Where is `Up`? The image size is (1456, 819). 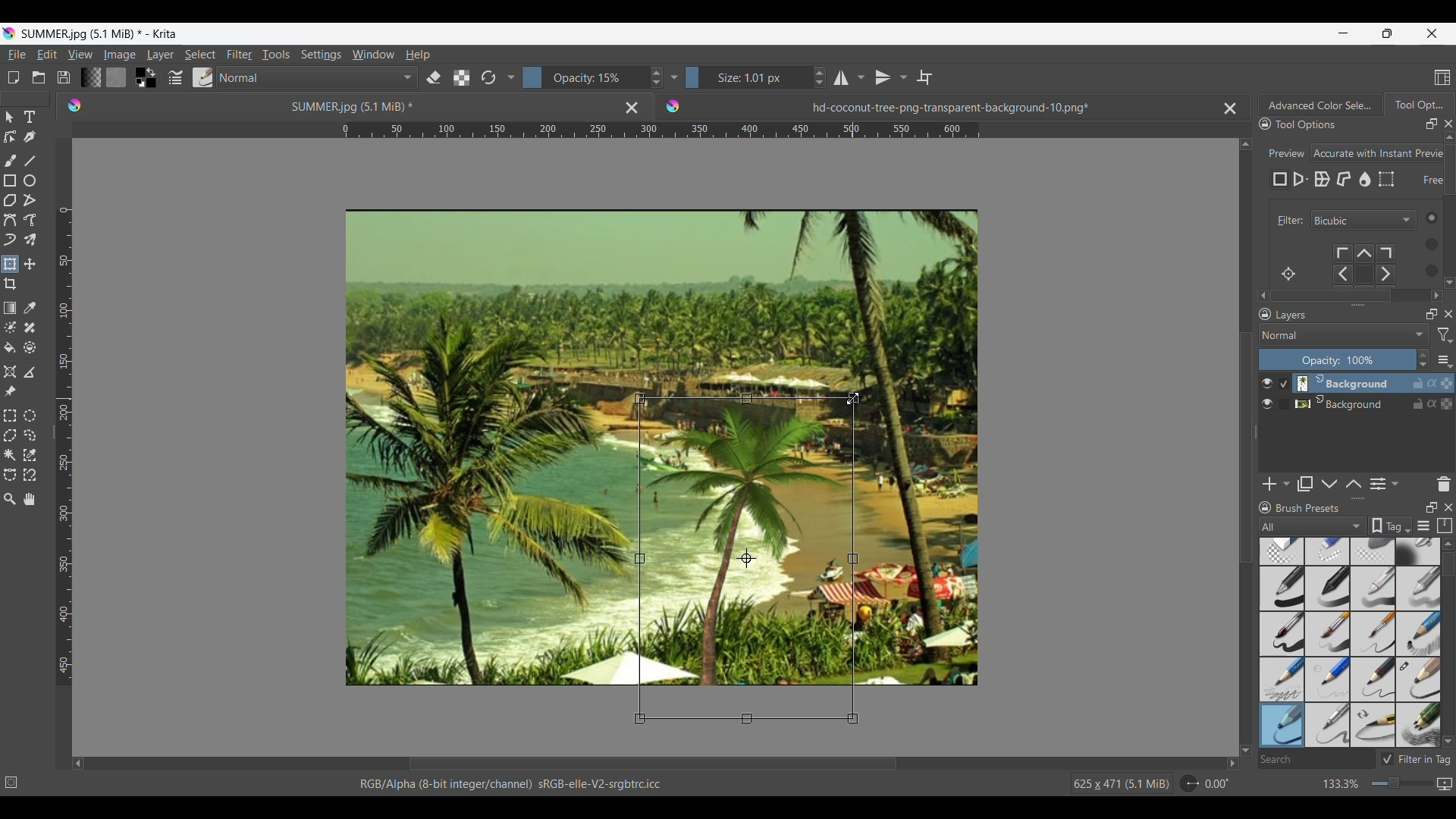
Up is located at coordinates (1246, 141).